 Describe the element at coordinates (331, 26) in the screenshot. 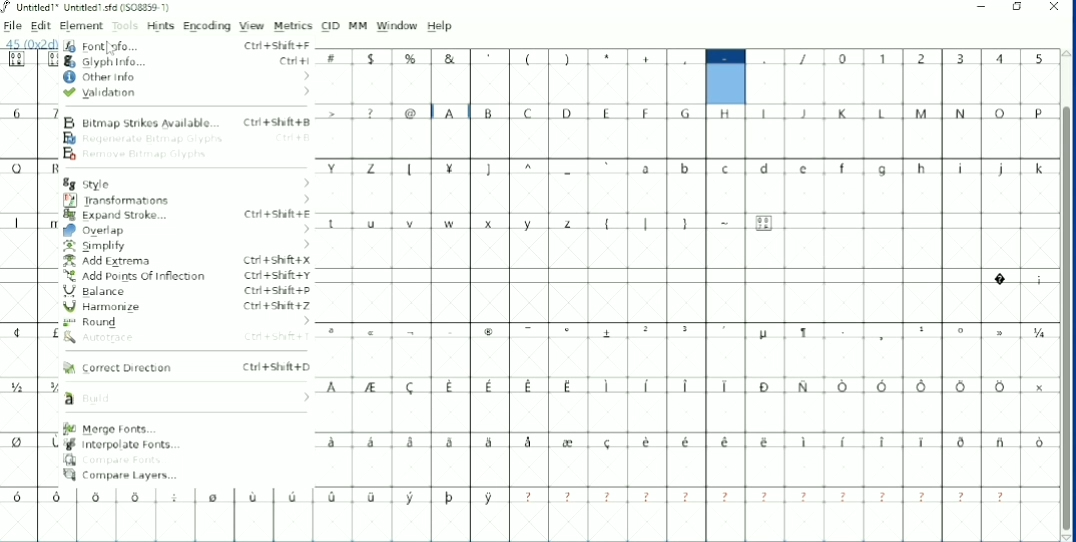

I see `CID` at that location.